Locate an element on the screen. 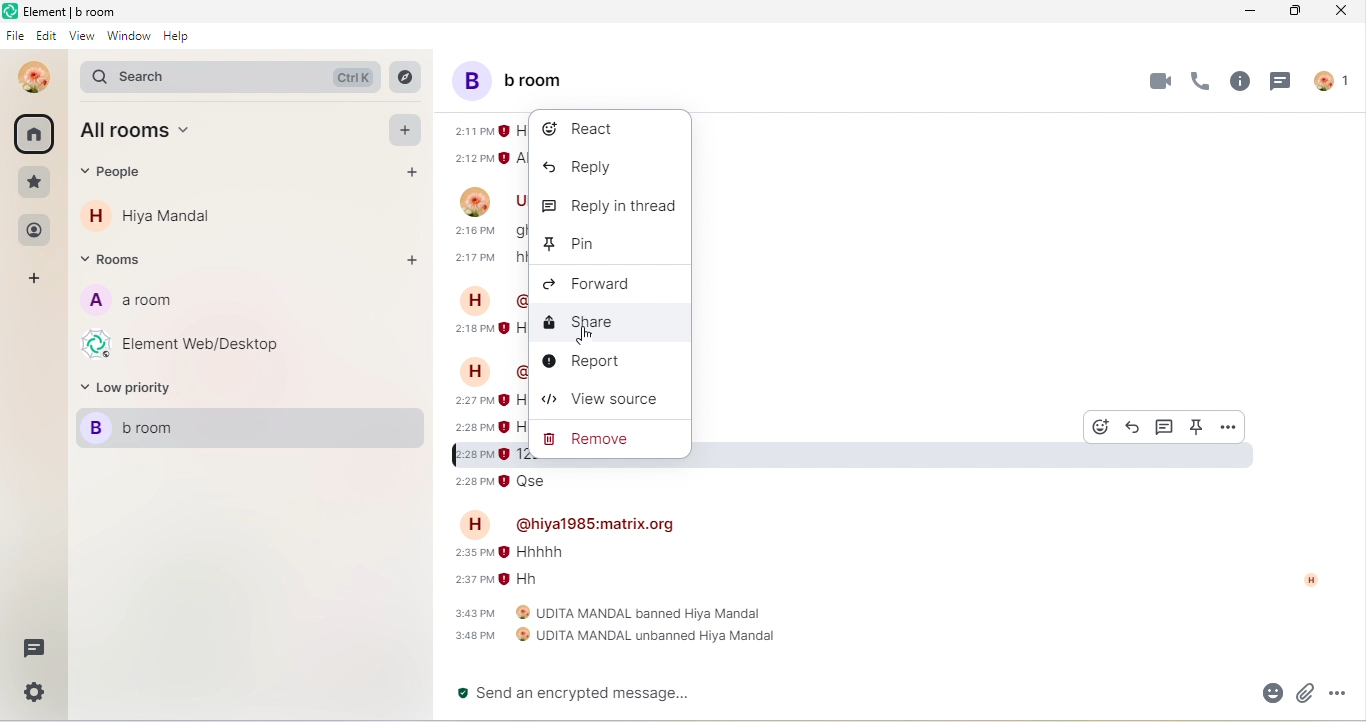 Image resolution: width=1366 pixels, height=722 pixels. 2:28 pm Hh is located at coordinates (487, 427).